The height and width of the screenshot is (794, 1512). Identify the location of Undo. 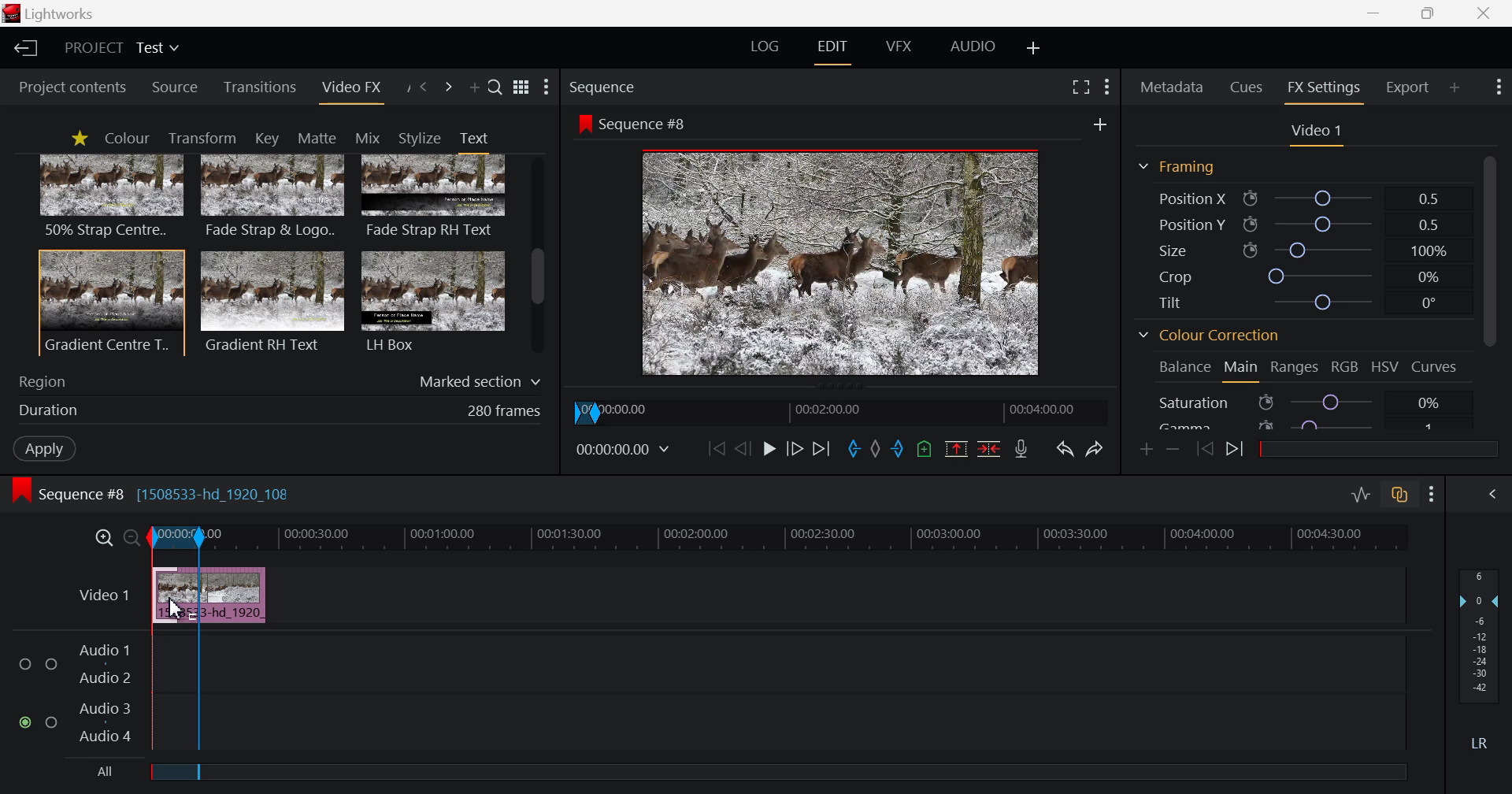
(1065, 449).